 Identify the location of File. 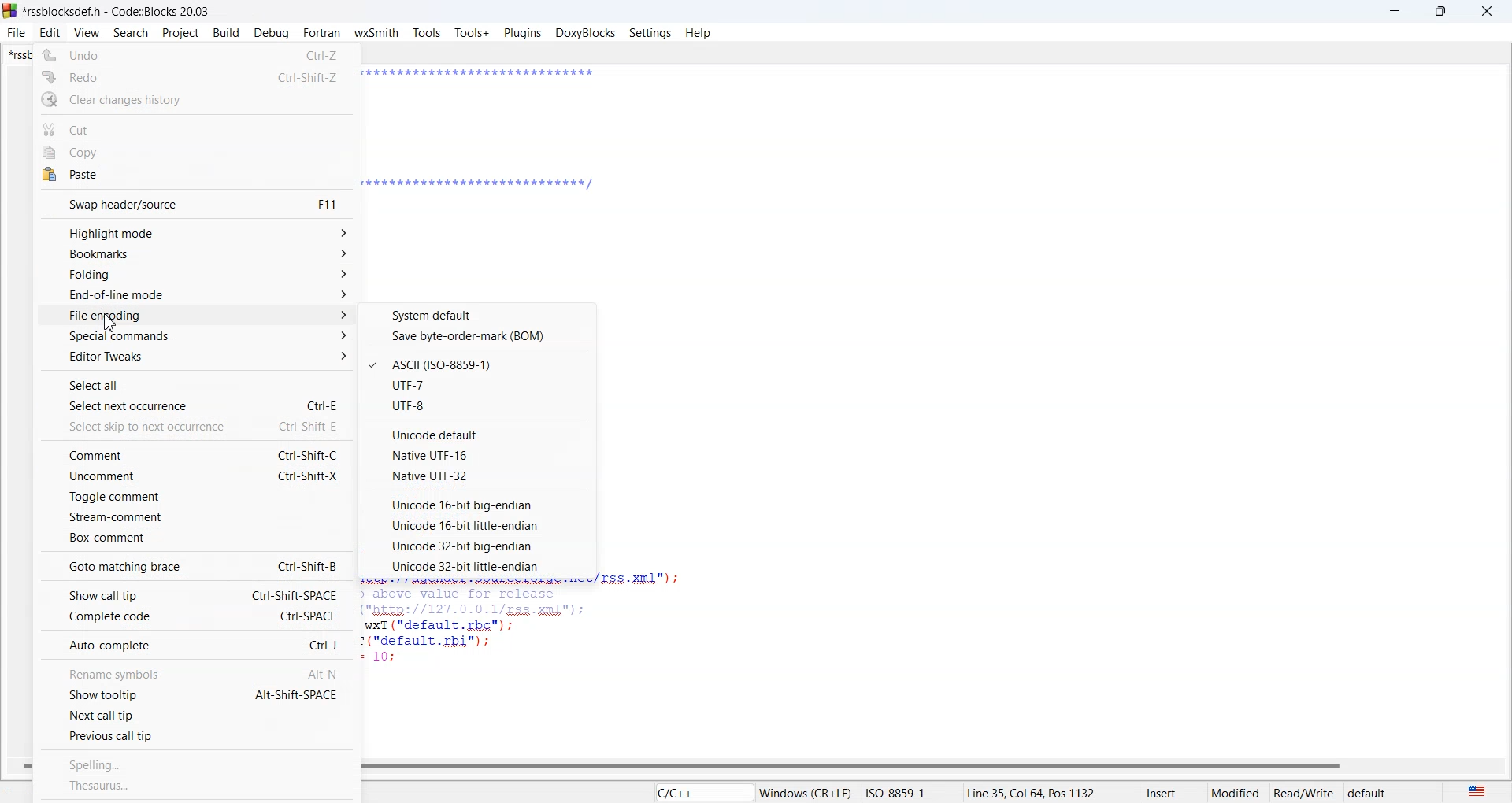
(17, 32).